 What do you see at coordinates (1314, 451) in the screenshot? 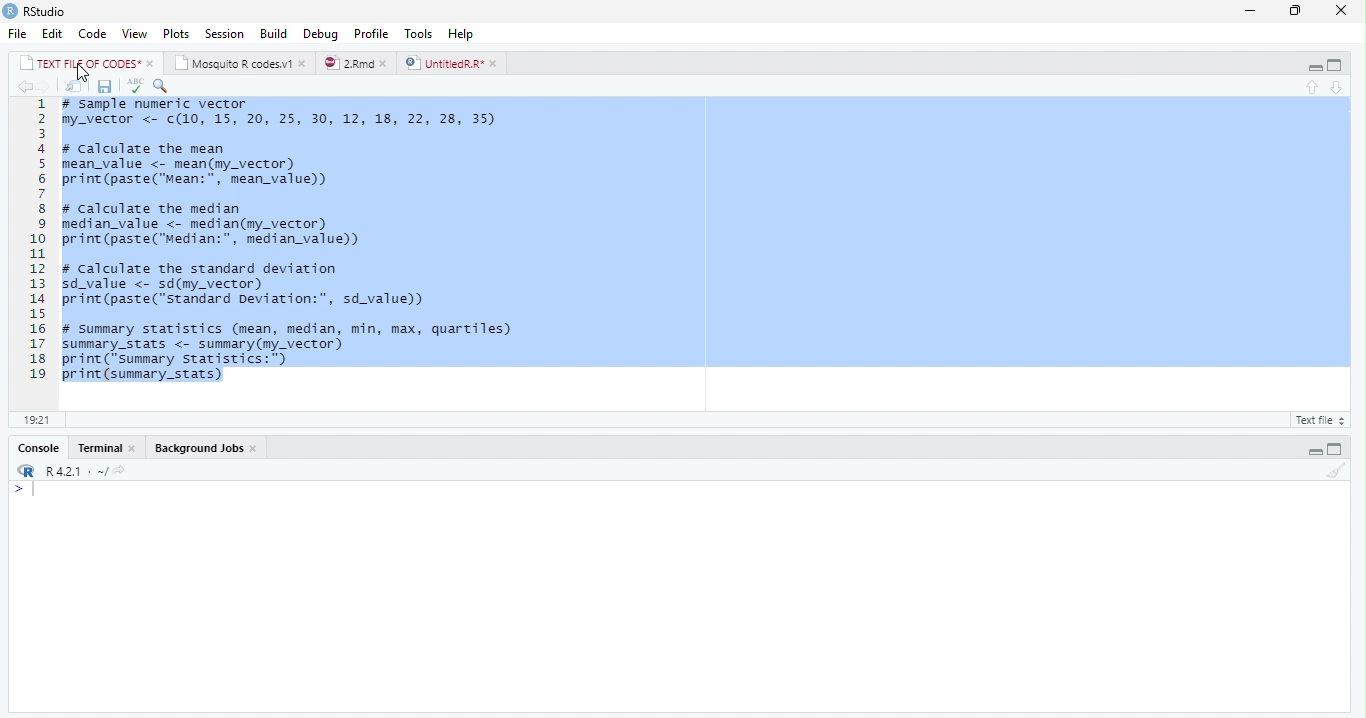
I see `minimize` at bounding box center [1314, 451].